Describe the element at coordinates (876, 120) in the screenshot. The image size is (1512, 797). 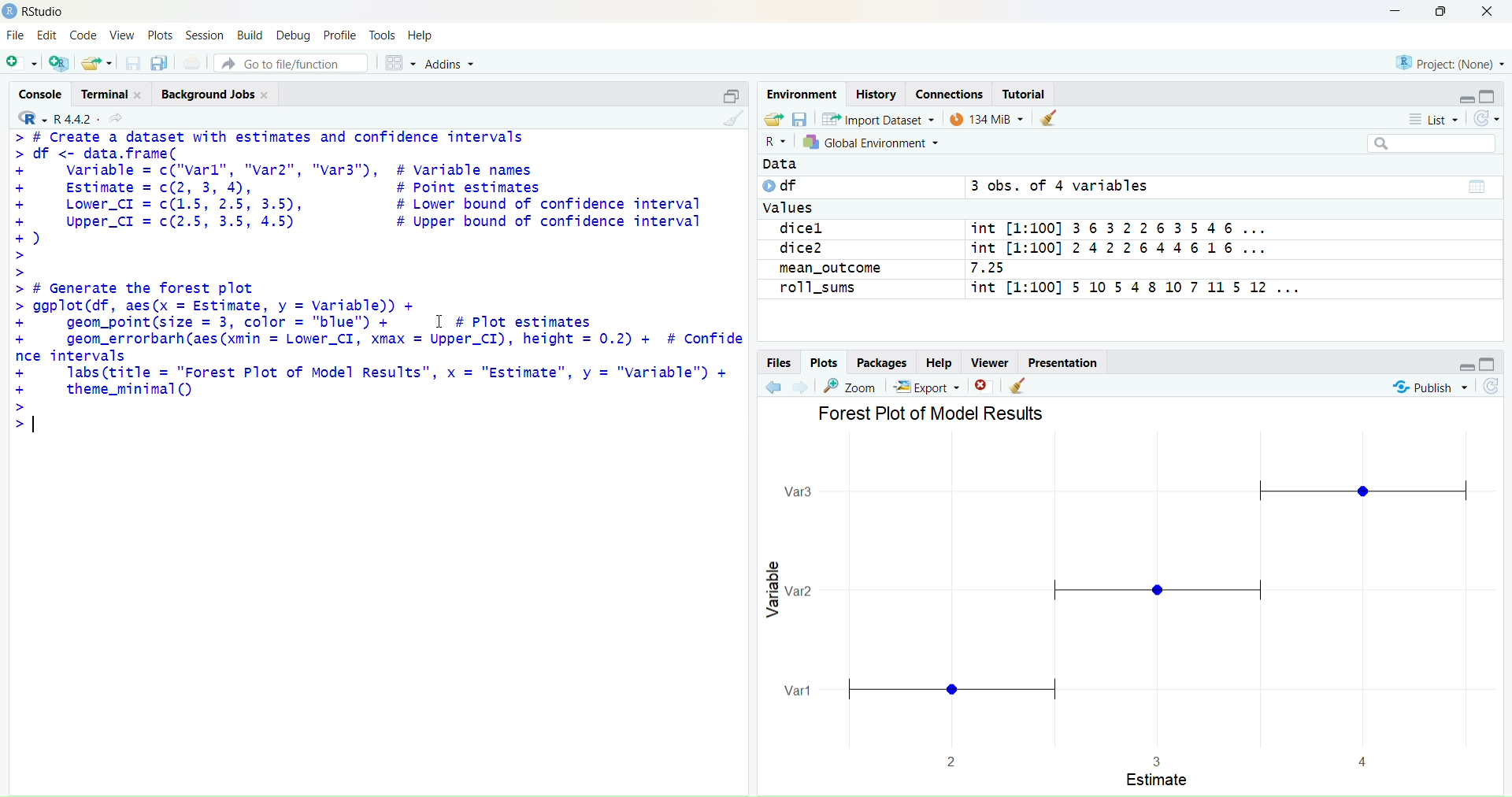
I see `Import Datase` at that location.